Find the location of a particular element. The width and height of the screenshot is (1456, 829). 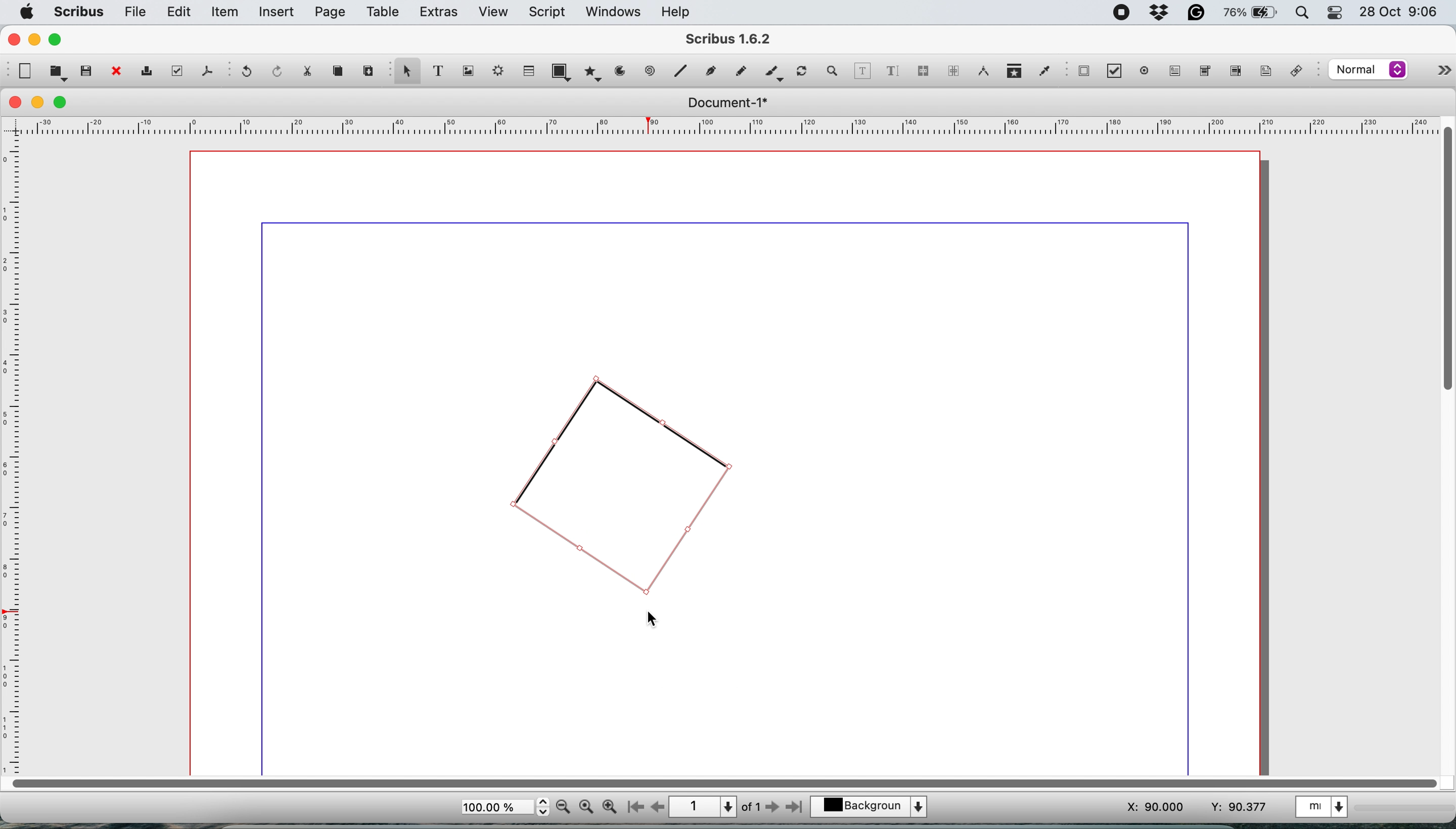

select the current unit is located at coordinates (1328, 809).